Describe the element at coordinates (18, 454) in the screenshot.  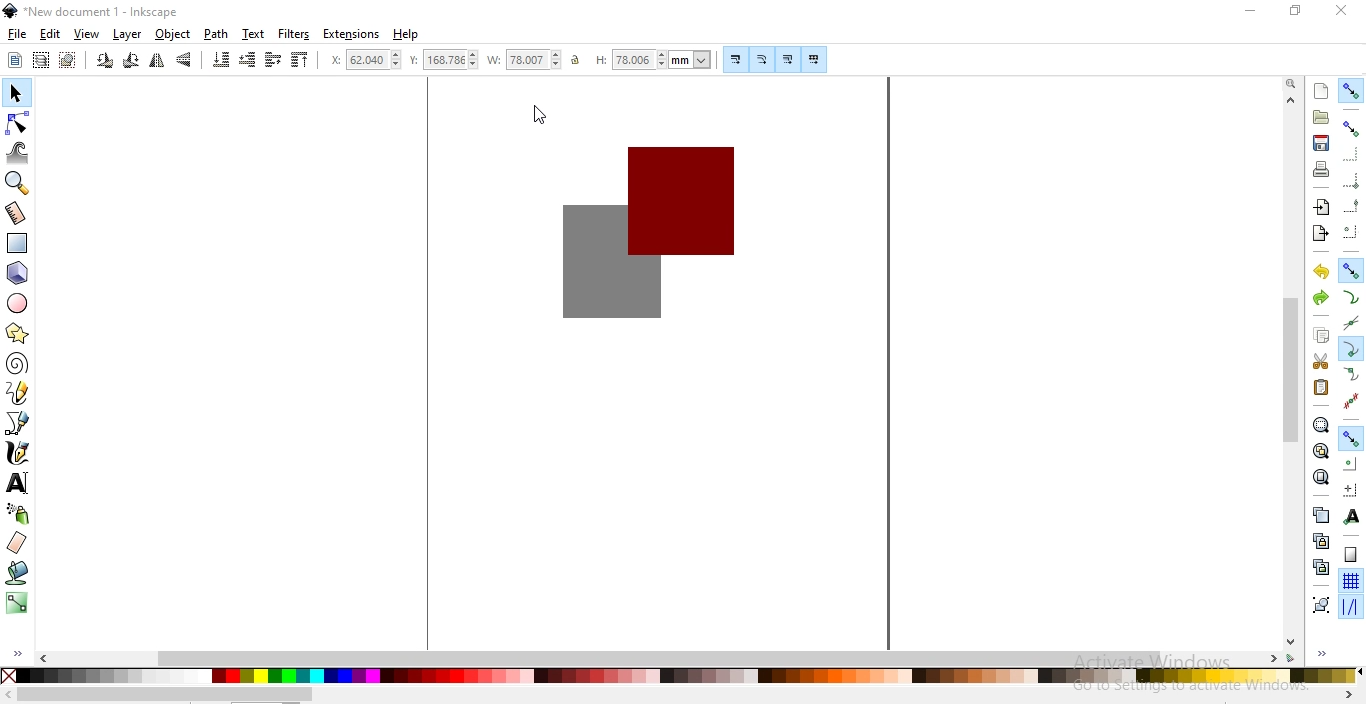
I see `draw calligraphic or brush strokes` at that location.